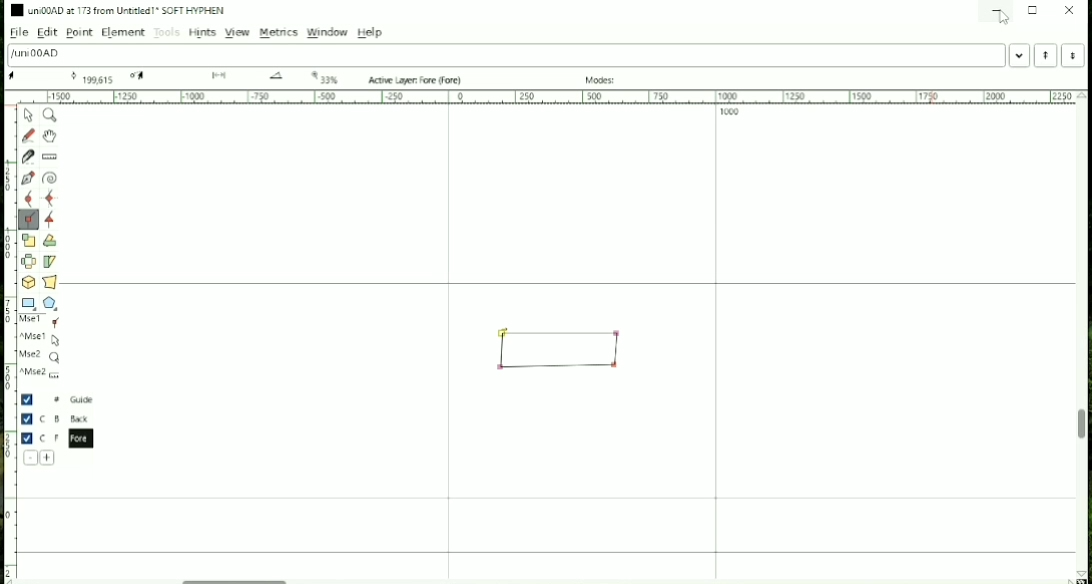  What do you see at coordinates (142, 76) in the screenshot?
I see `173 Oxad U+00AD "uni00AD" SOFT HYPHEN` at bounding box center [142, 76].